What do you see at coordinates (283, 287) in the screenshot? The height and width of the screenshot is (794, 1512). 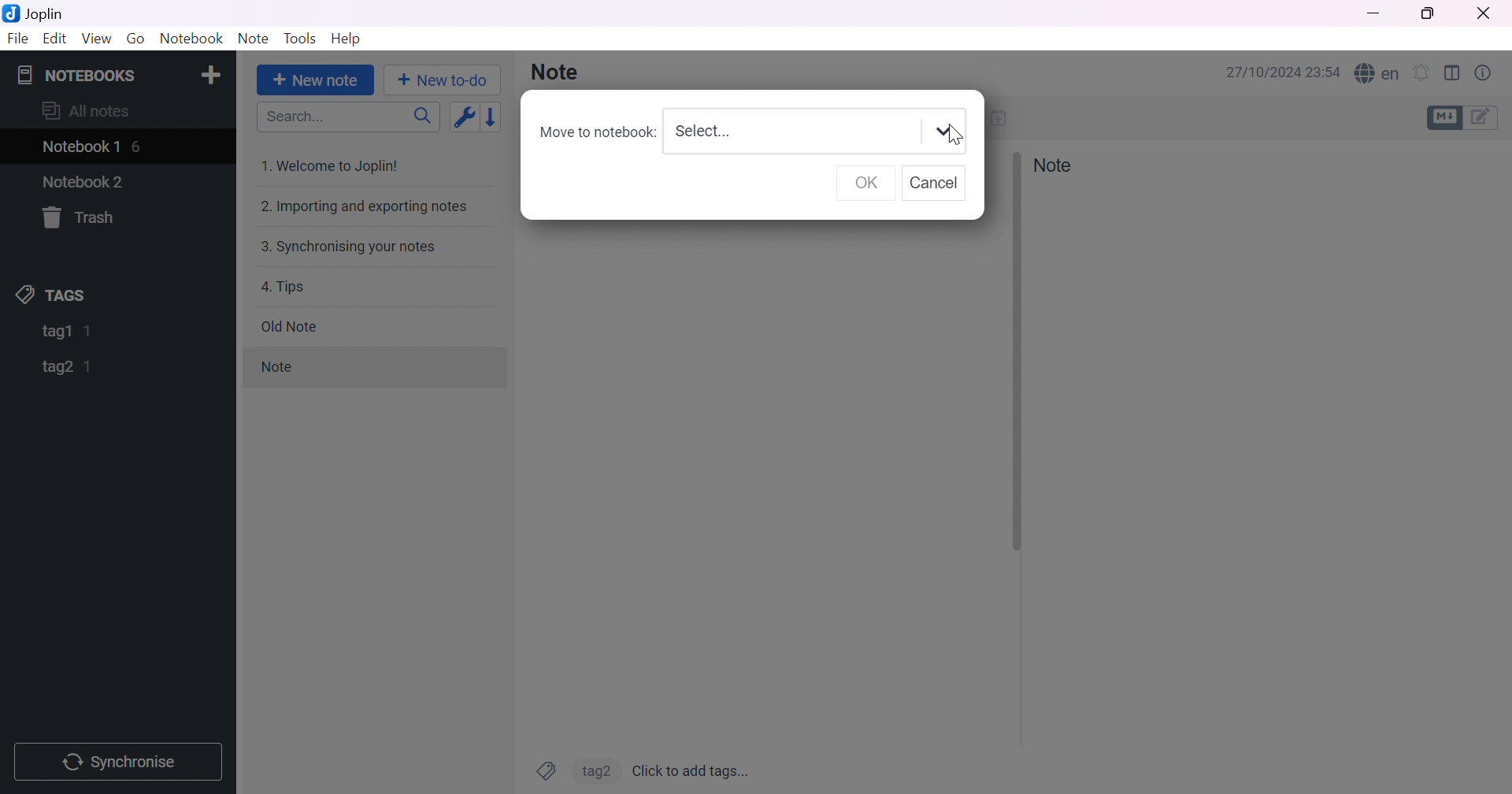 I see `4. Tips` at bounding box center [283, 287].